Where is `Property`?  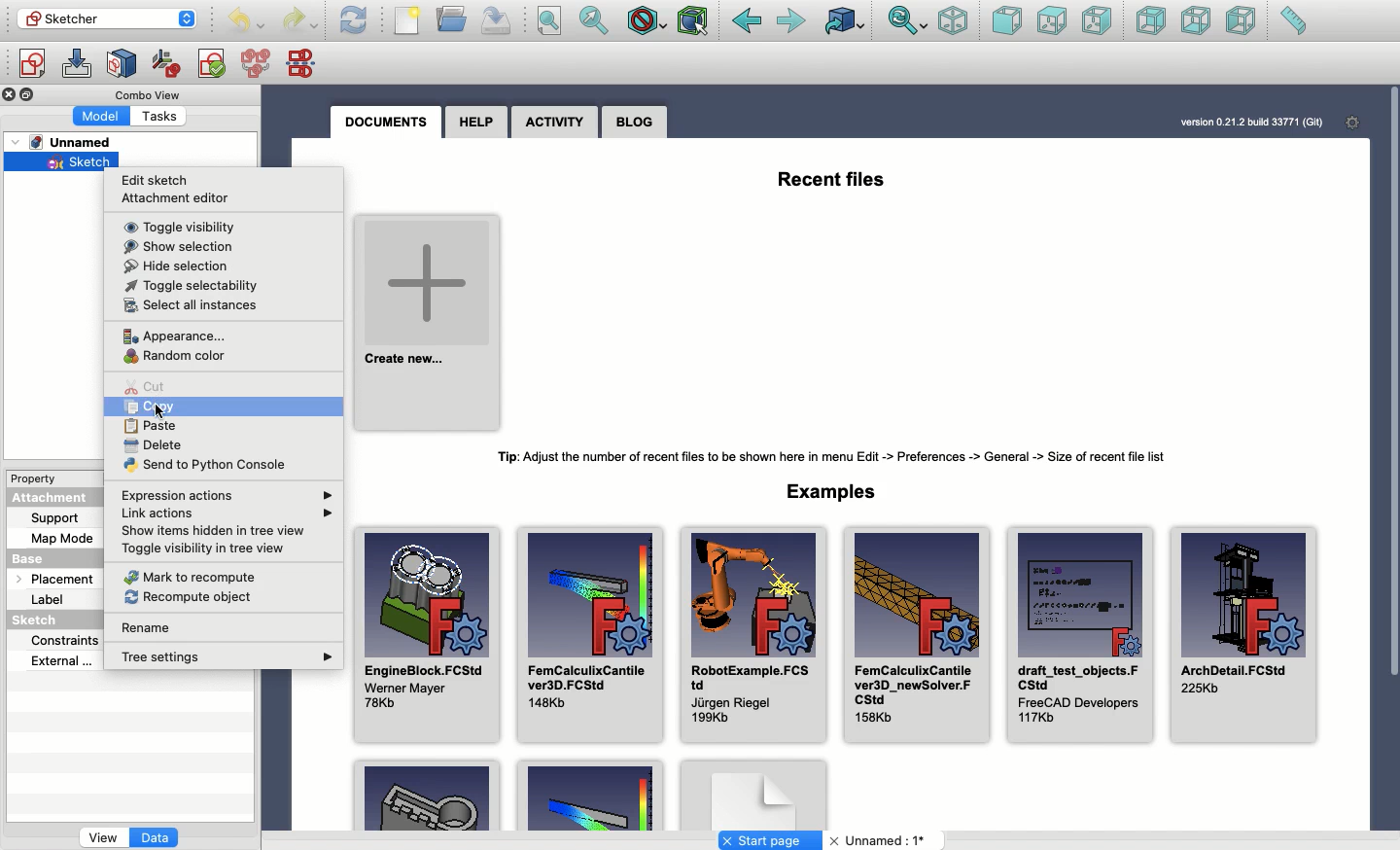
Property is located at coordinates (36, 478).